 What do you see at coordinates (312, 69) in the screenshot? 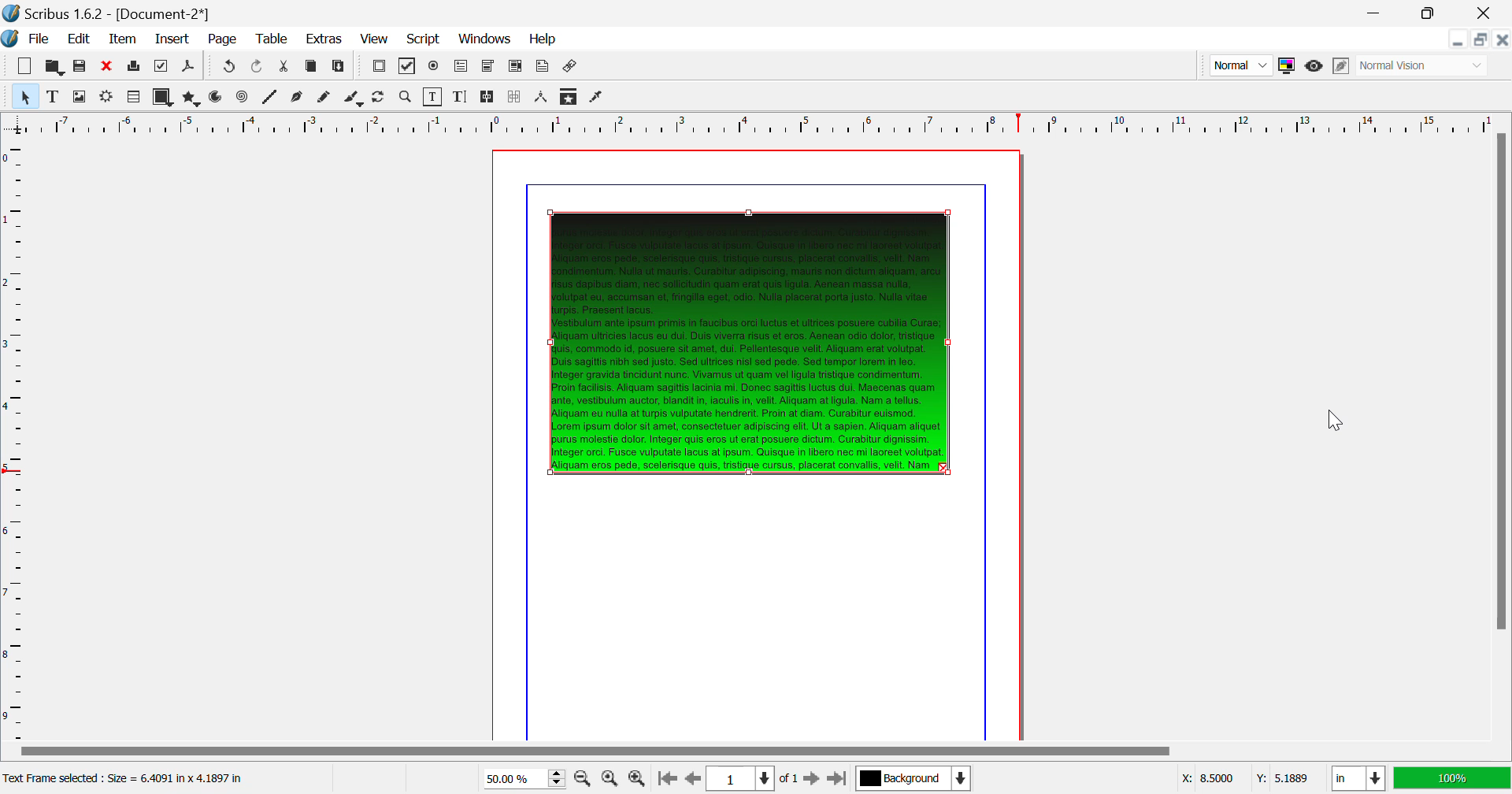
I see `Copy` at bounding box center [312, 69].